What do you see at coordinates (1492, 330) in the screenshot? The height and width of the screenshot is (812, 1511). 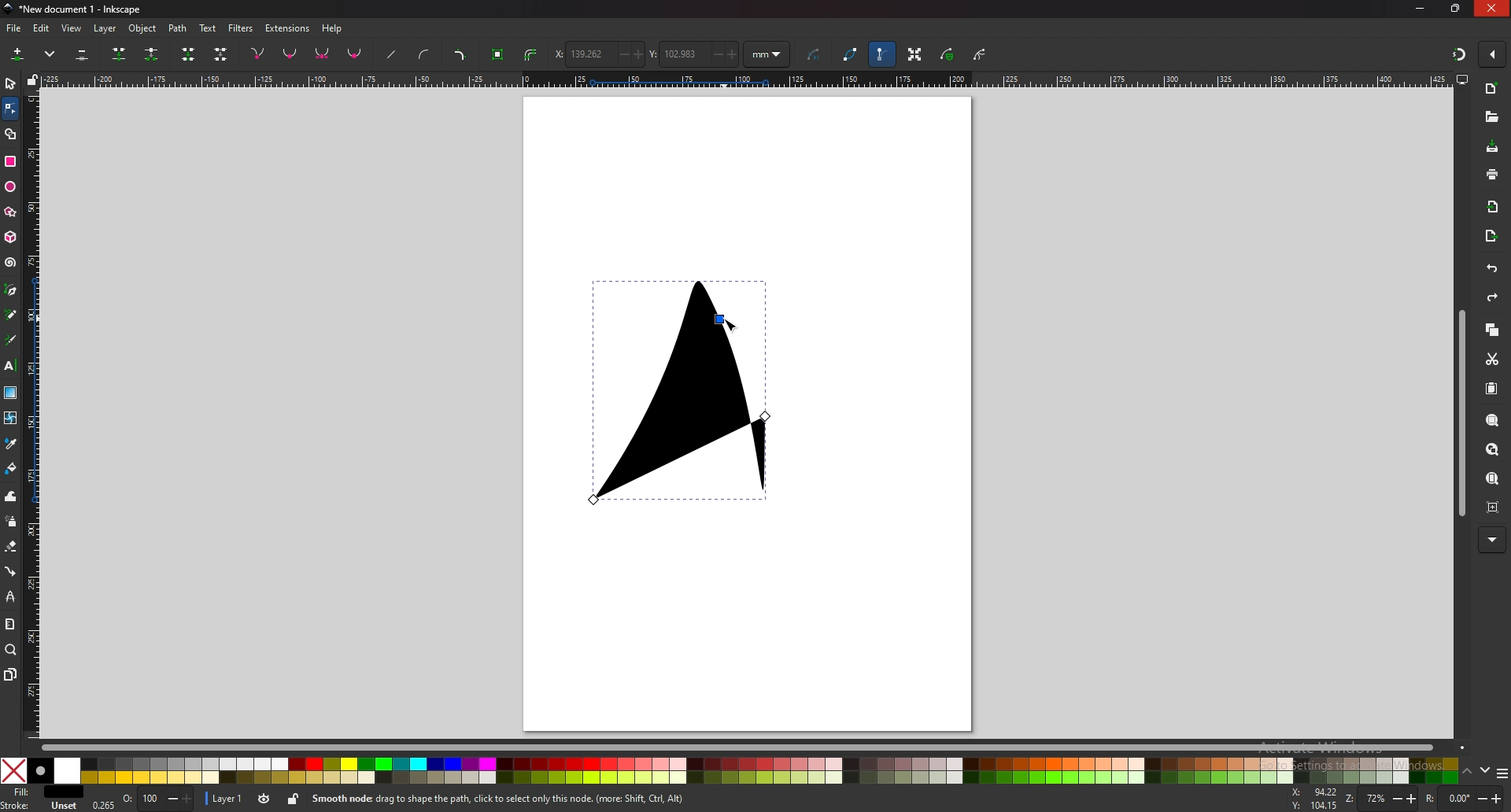 I see `copy` at bounding box center [1492, 330].